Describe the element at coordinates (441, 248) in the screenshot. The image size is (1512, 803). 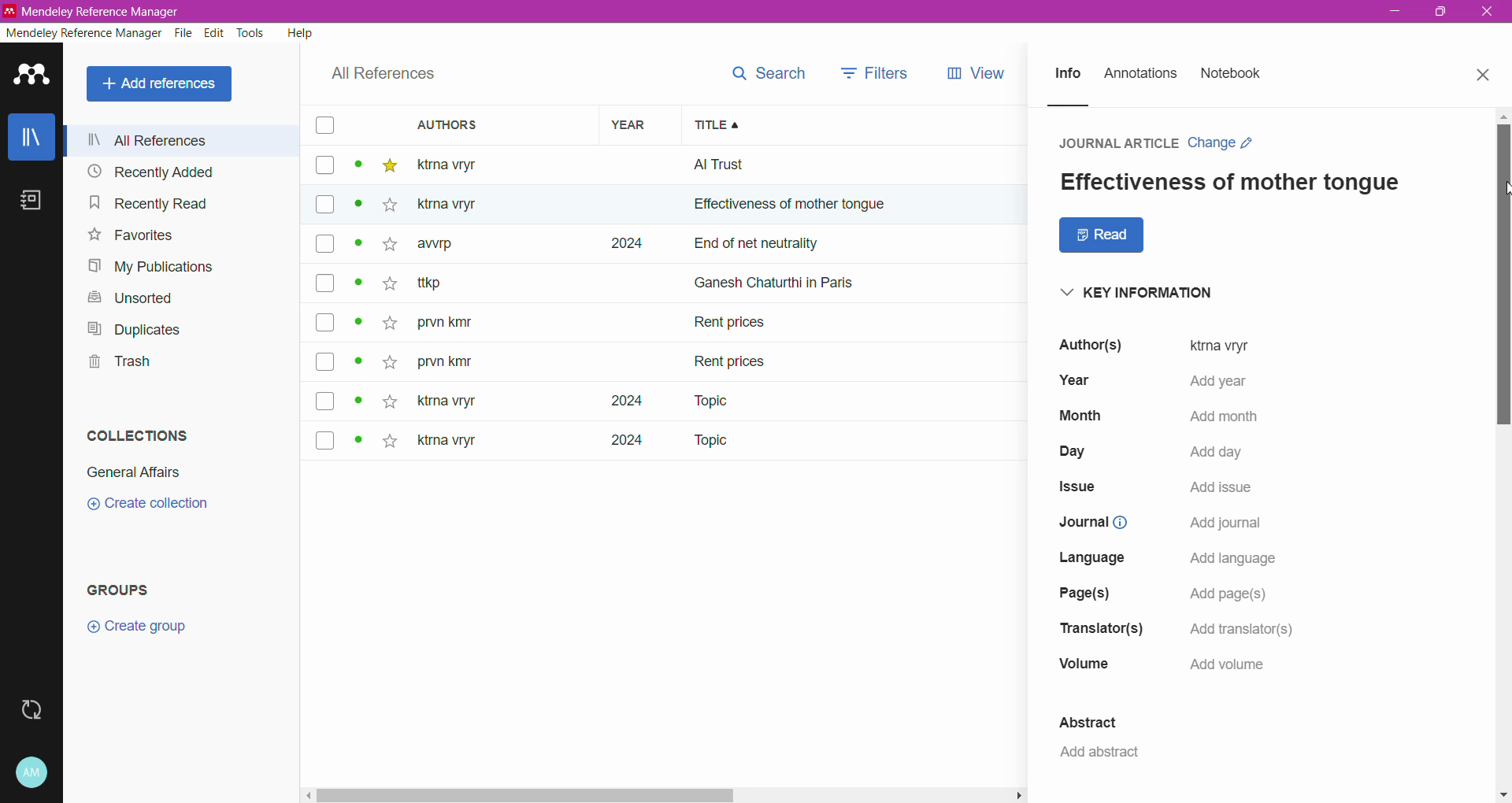
I see `awrp` at that location.